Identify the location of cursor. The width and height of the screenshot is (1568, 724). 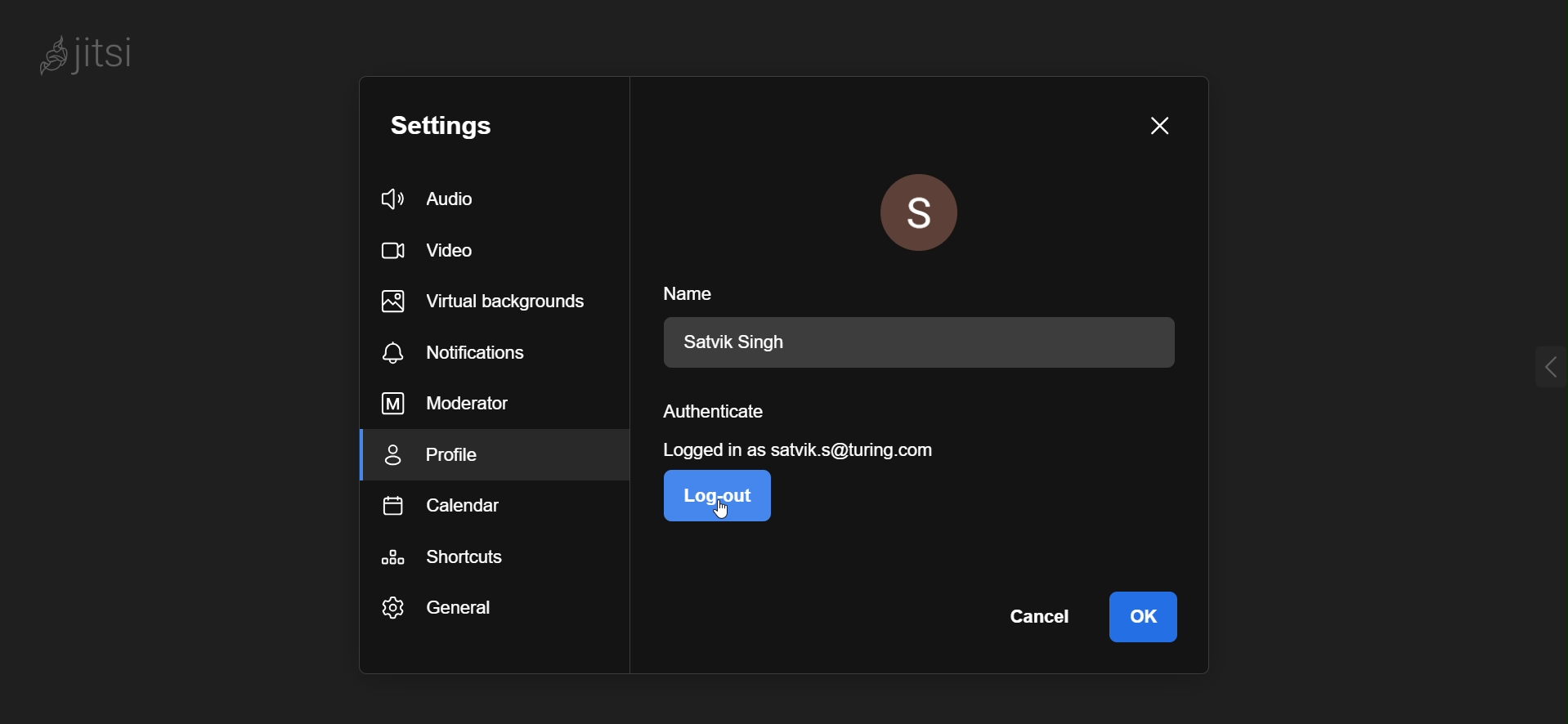
(721, 511).